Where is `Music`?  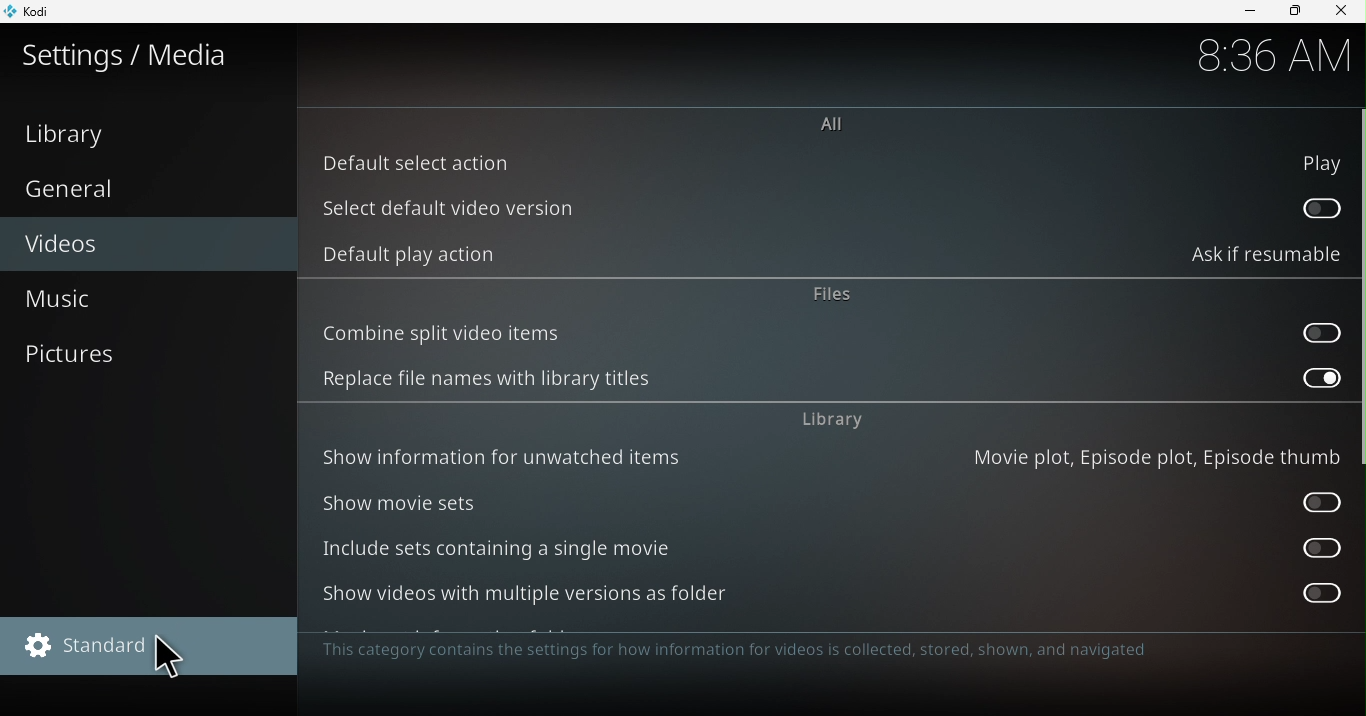
Music is located at coordinates (138, 303).